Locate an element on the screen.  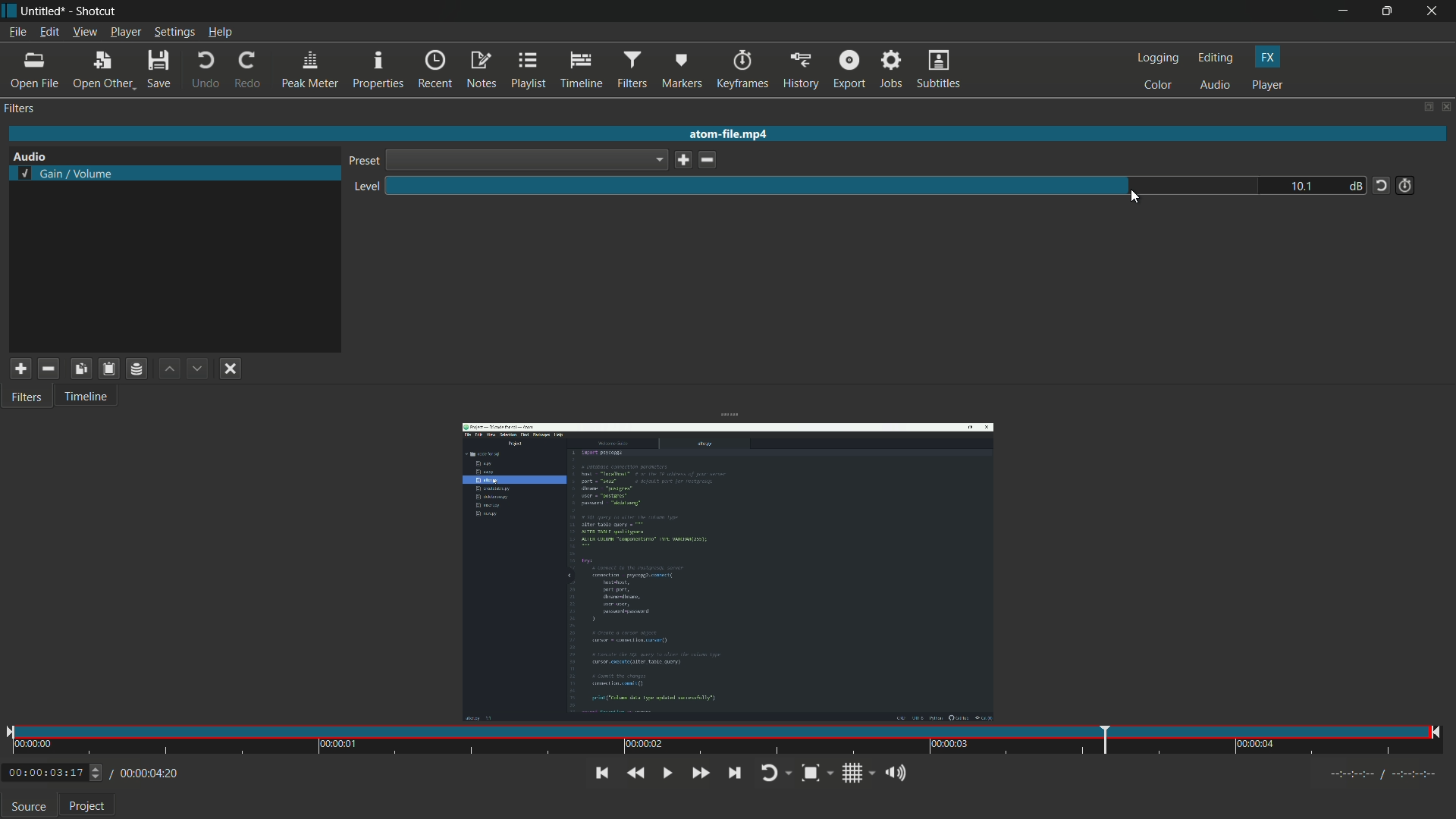
edit menu is located at coordinates (49, 33).